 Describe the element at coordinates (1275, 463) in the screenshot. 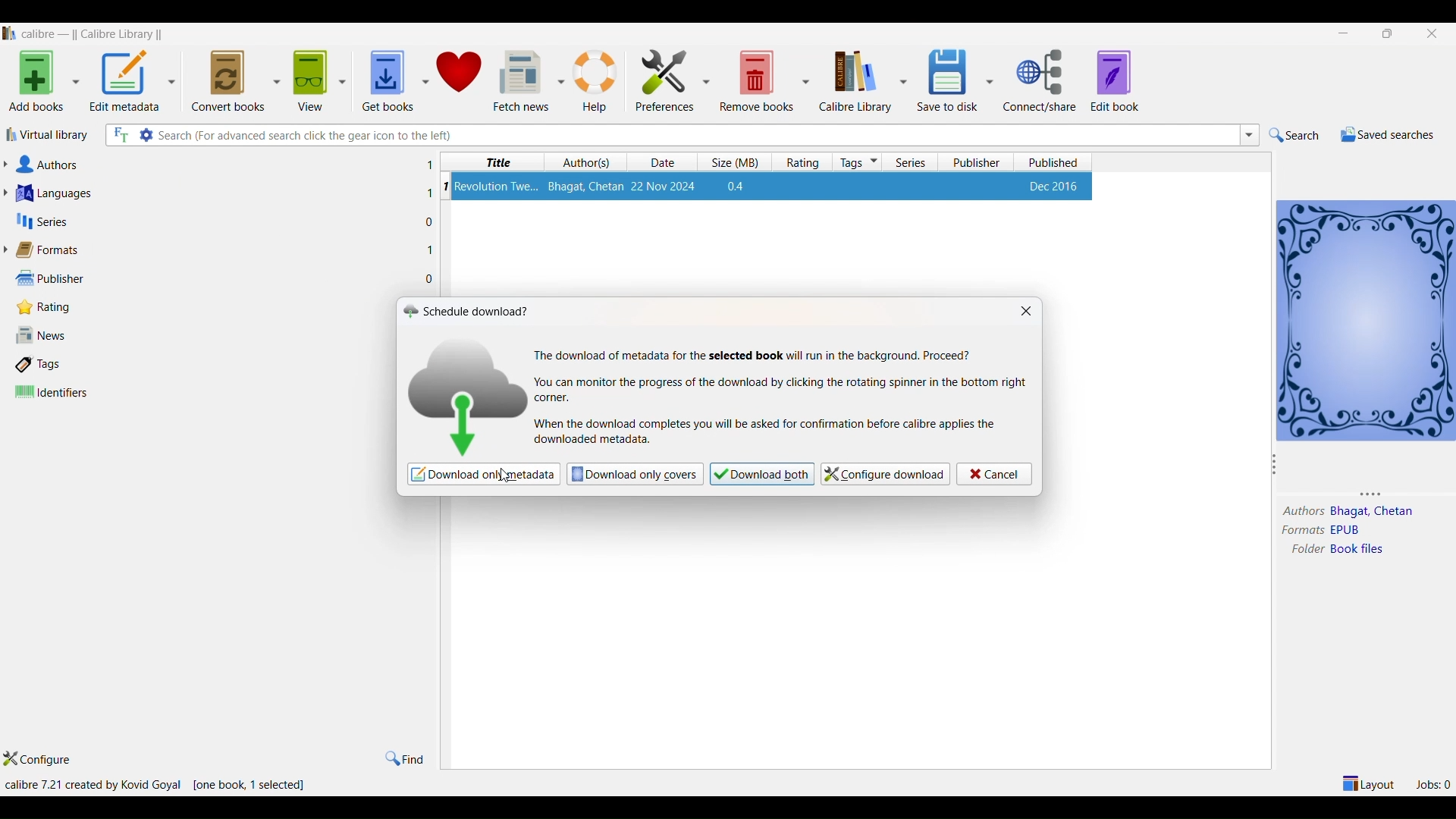

I see `resize` at that location.